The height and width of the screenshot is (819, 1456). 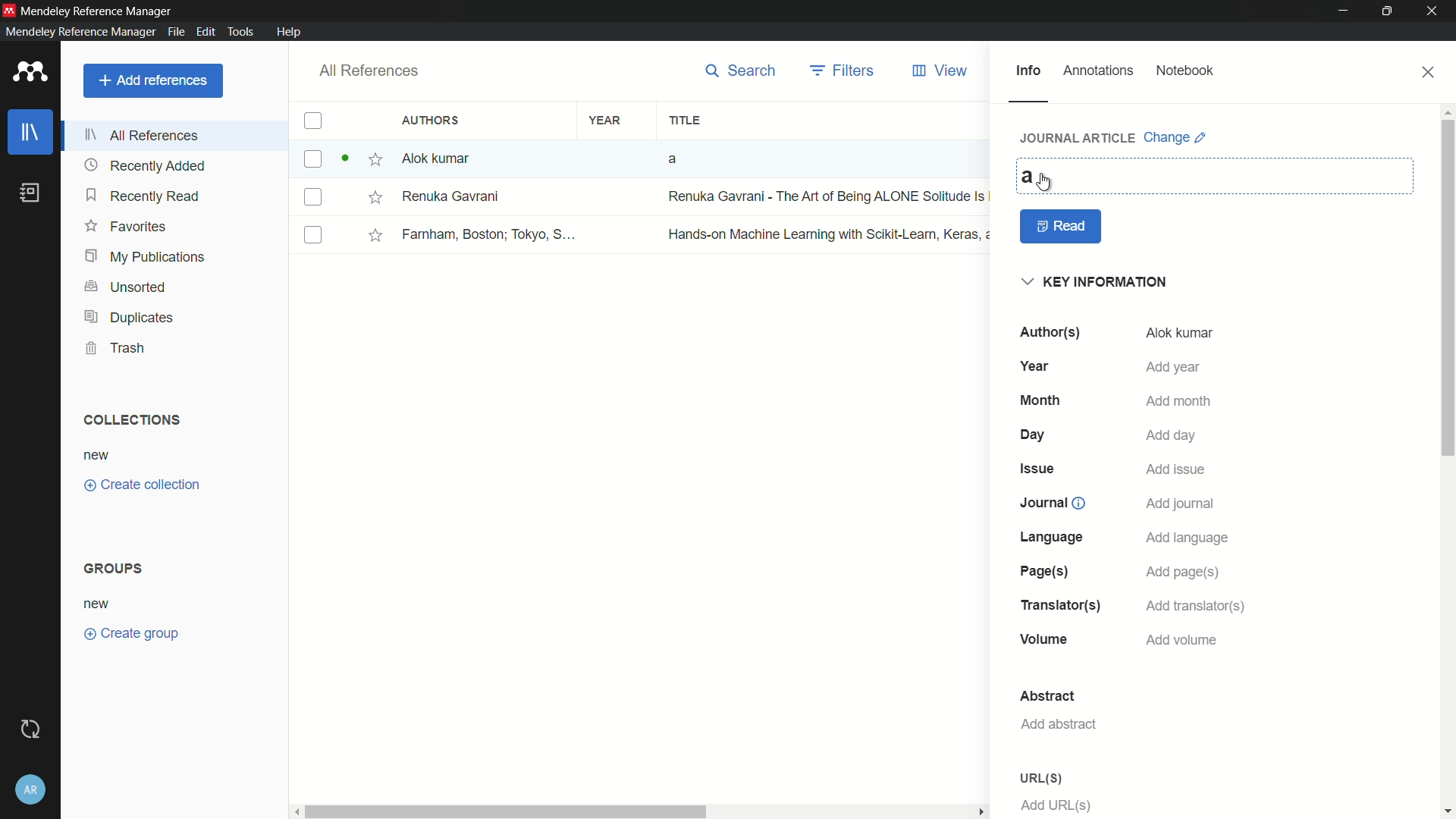 What do you see at coordinates (1035, 435) in the screenshot?
I see `day` at bounding box center [1035, 435].